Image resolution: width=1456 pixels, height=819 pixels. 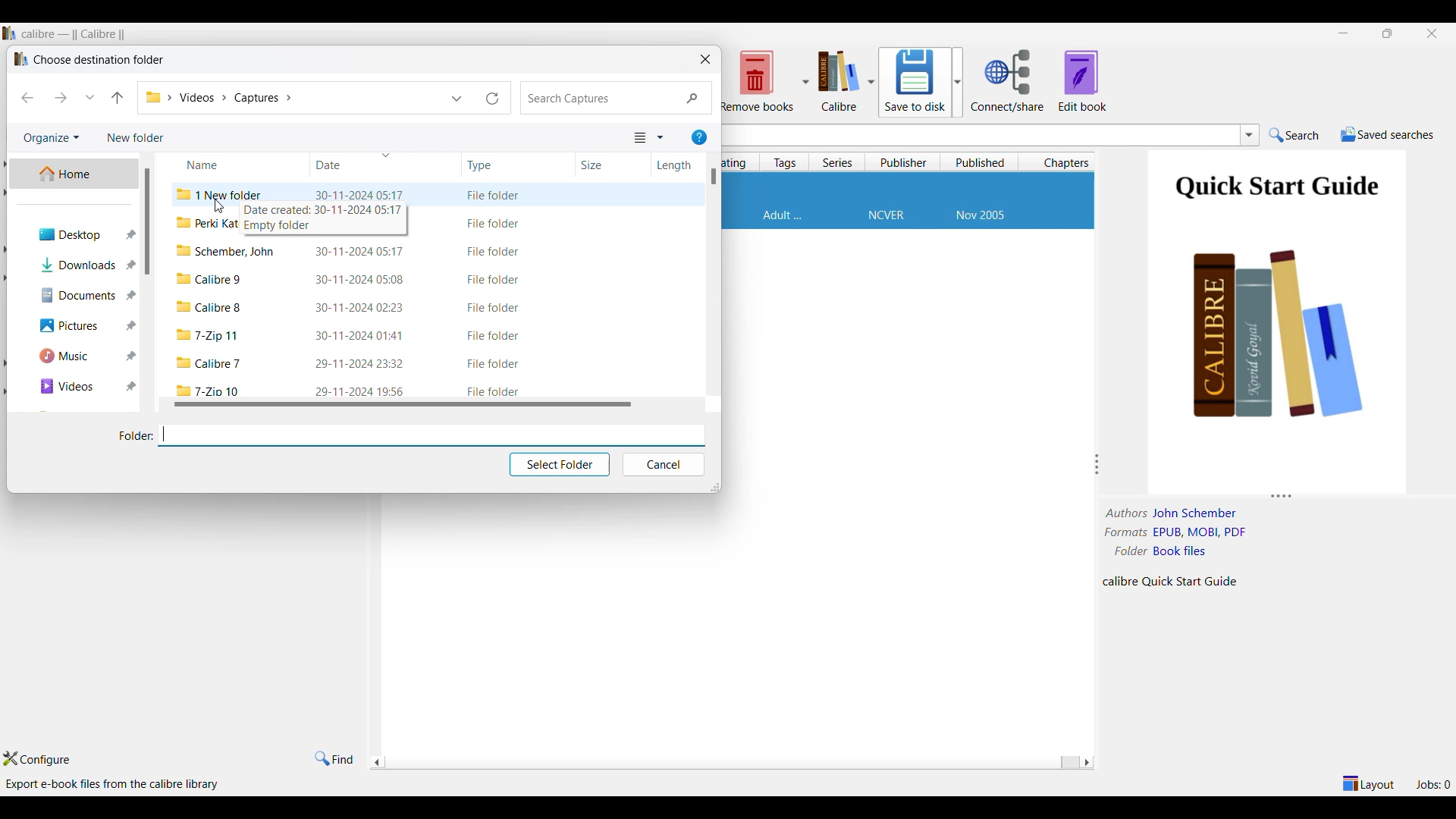 I want to click on Type in folder name, so click(x=431, y=435).